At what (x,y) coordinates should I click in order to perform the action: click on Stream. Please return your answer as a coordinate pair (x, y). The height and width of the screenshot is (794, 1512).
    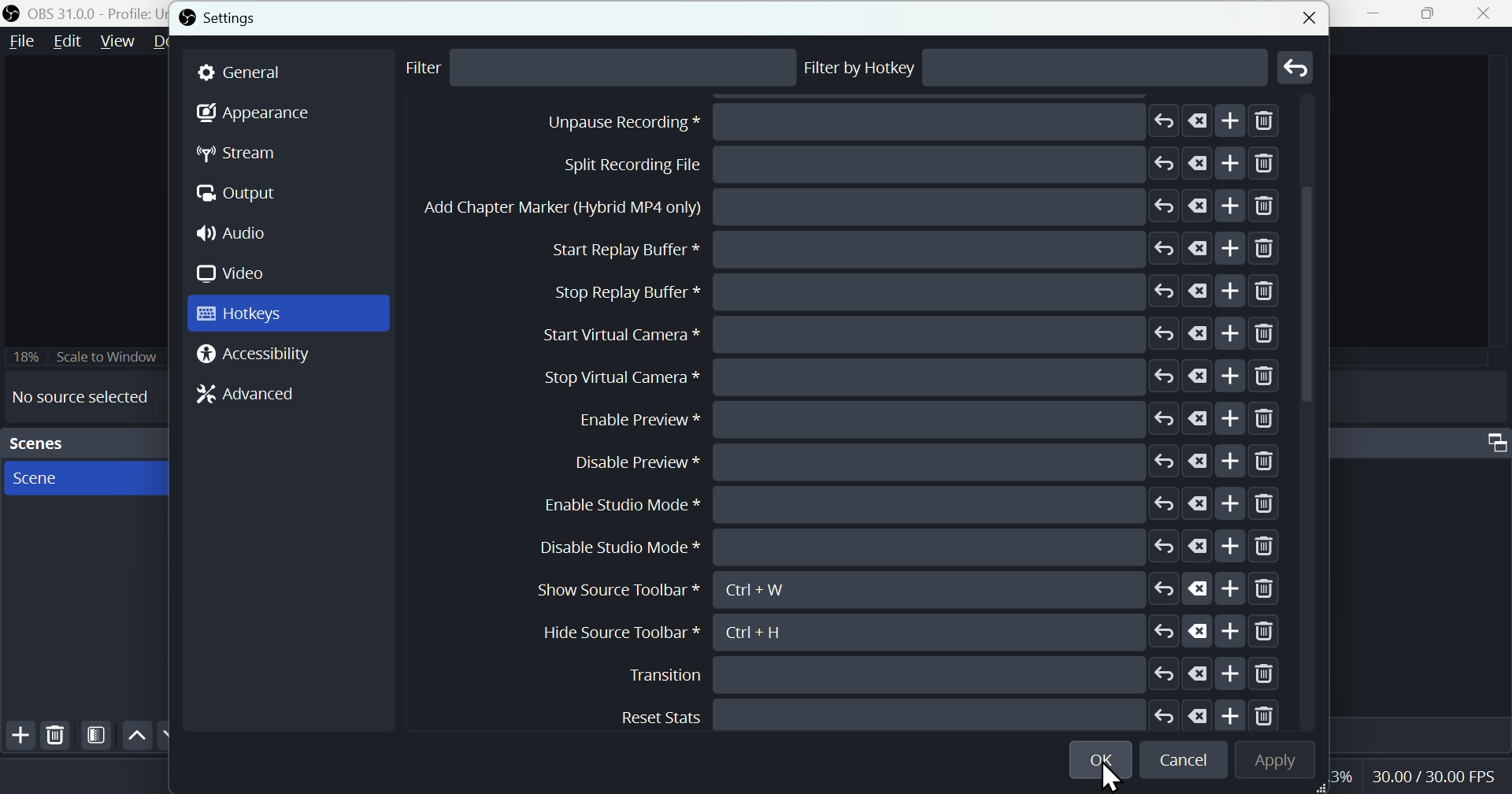
    Looking at the image, I should click on (250, 154).